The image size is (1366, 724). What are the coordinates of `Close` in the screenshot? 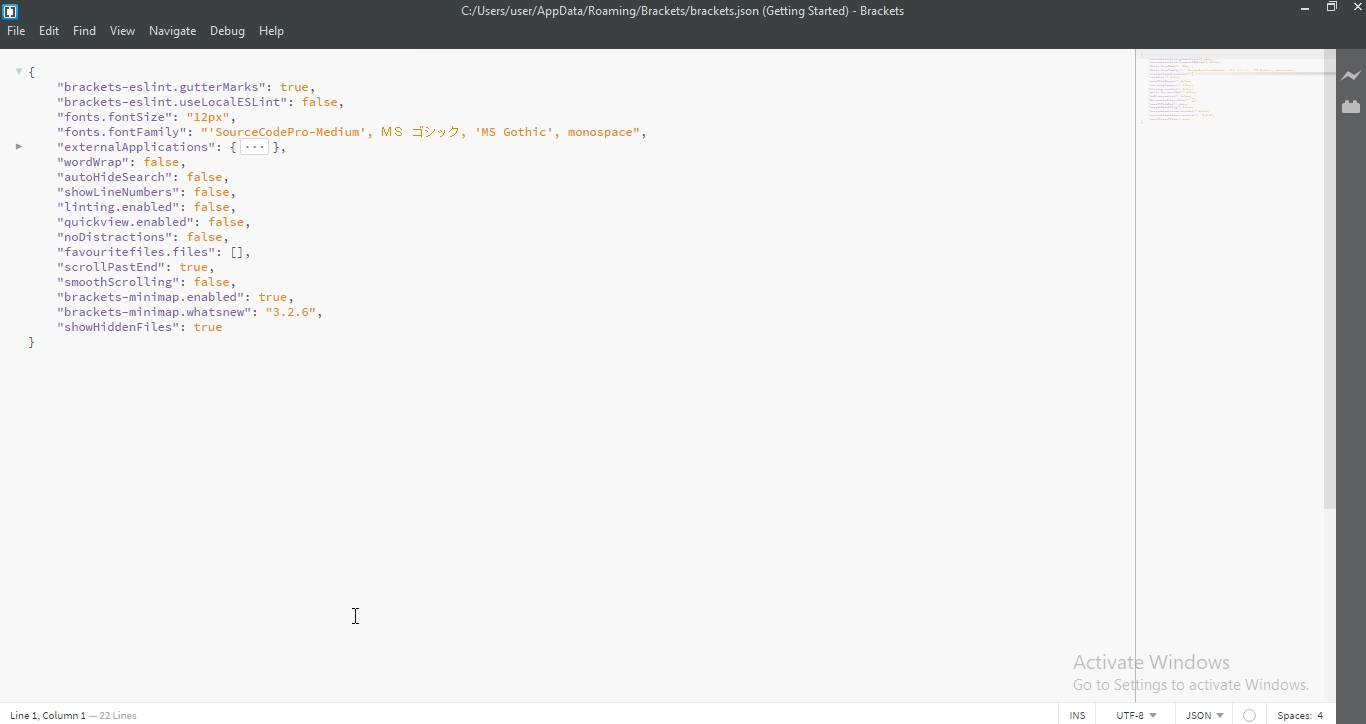 It's located at (1357, 9).